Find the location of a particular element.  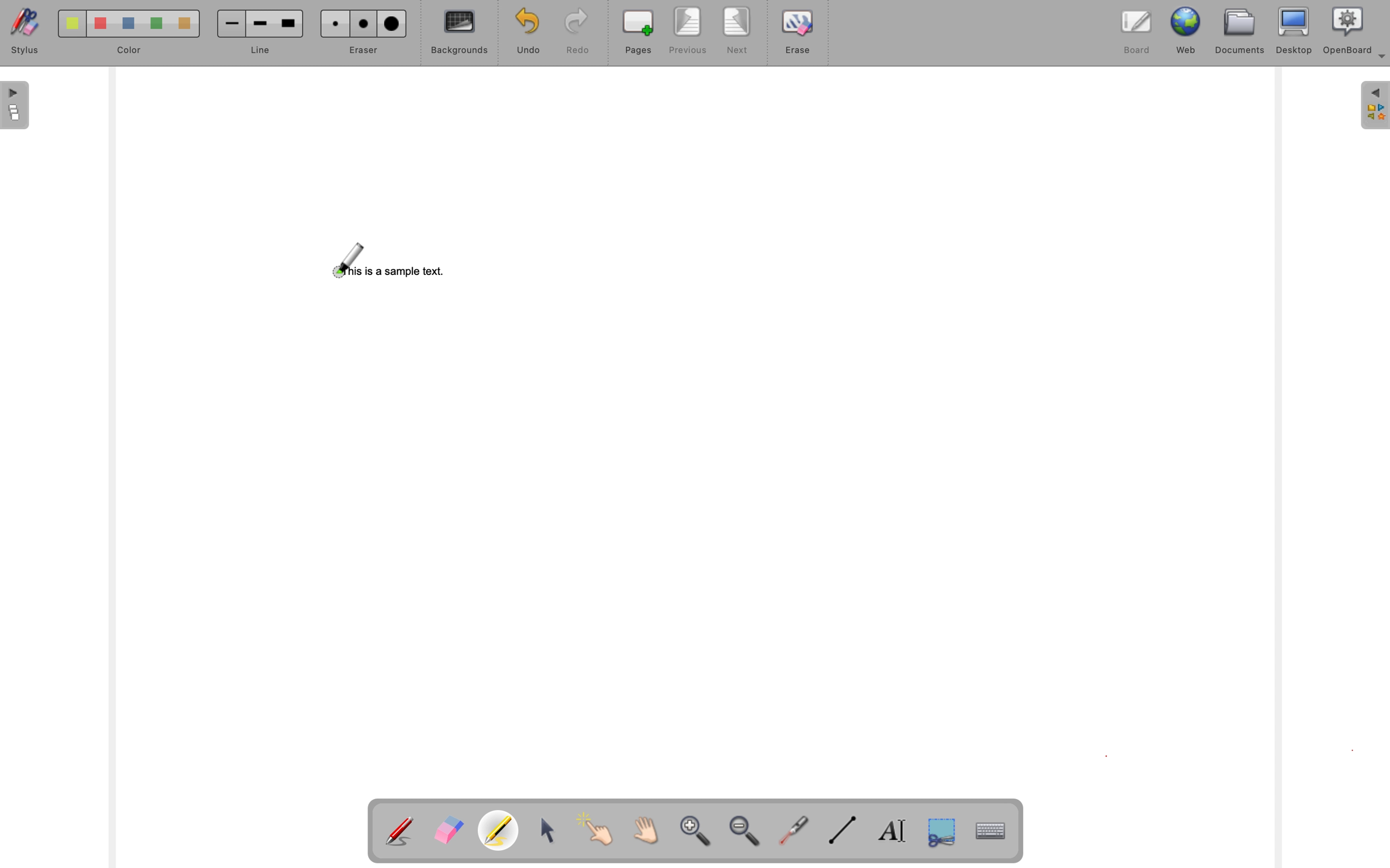

write text is located at coordinates (893, 830).